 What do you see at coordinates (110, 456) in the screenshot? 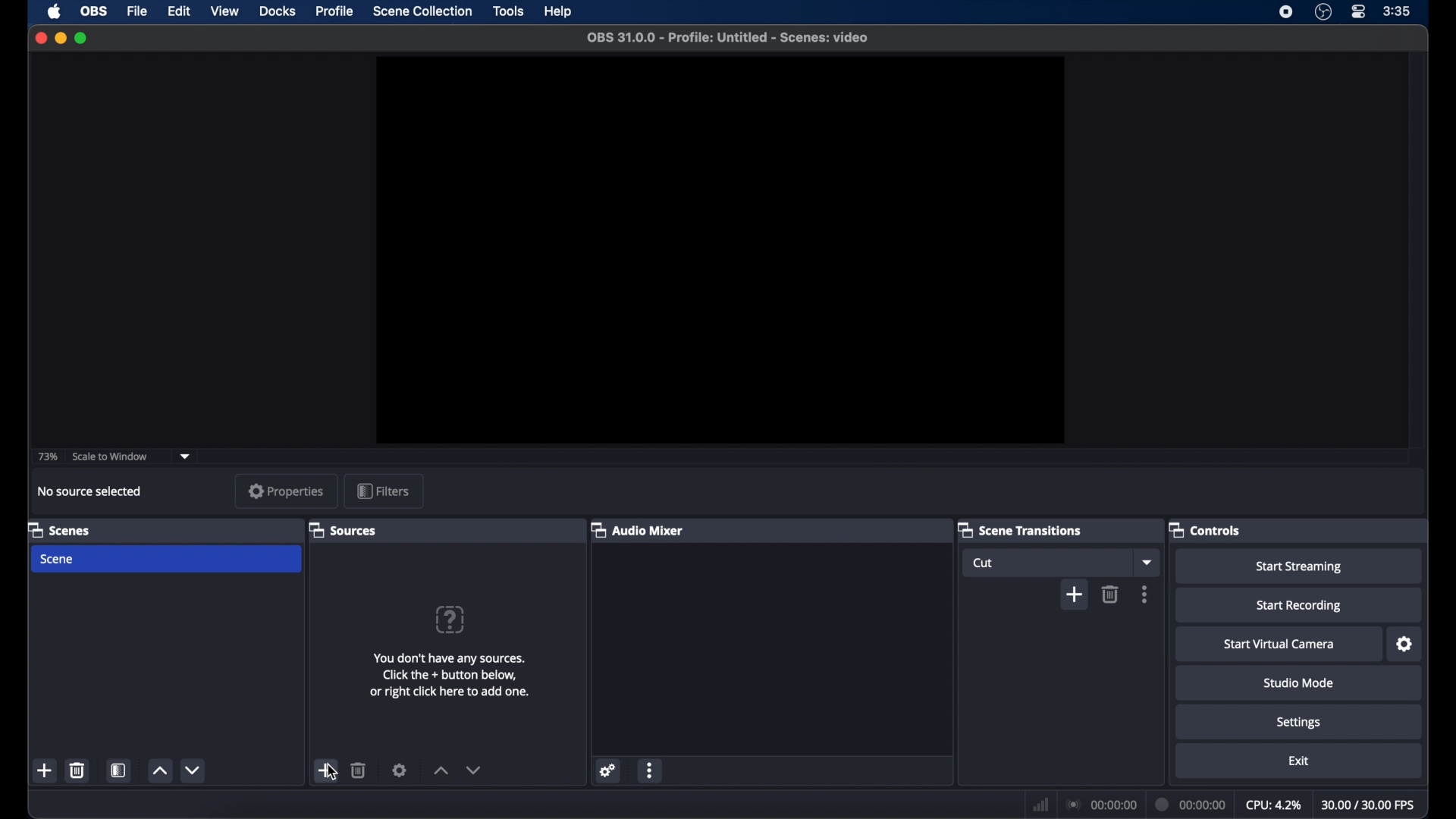
I see `scale to window` at bounding box center [110, 456].